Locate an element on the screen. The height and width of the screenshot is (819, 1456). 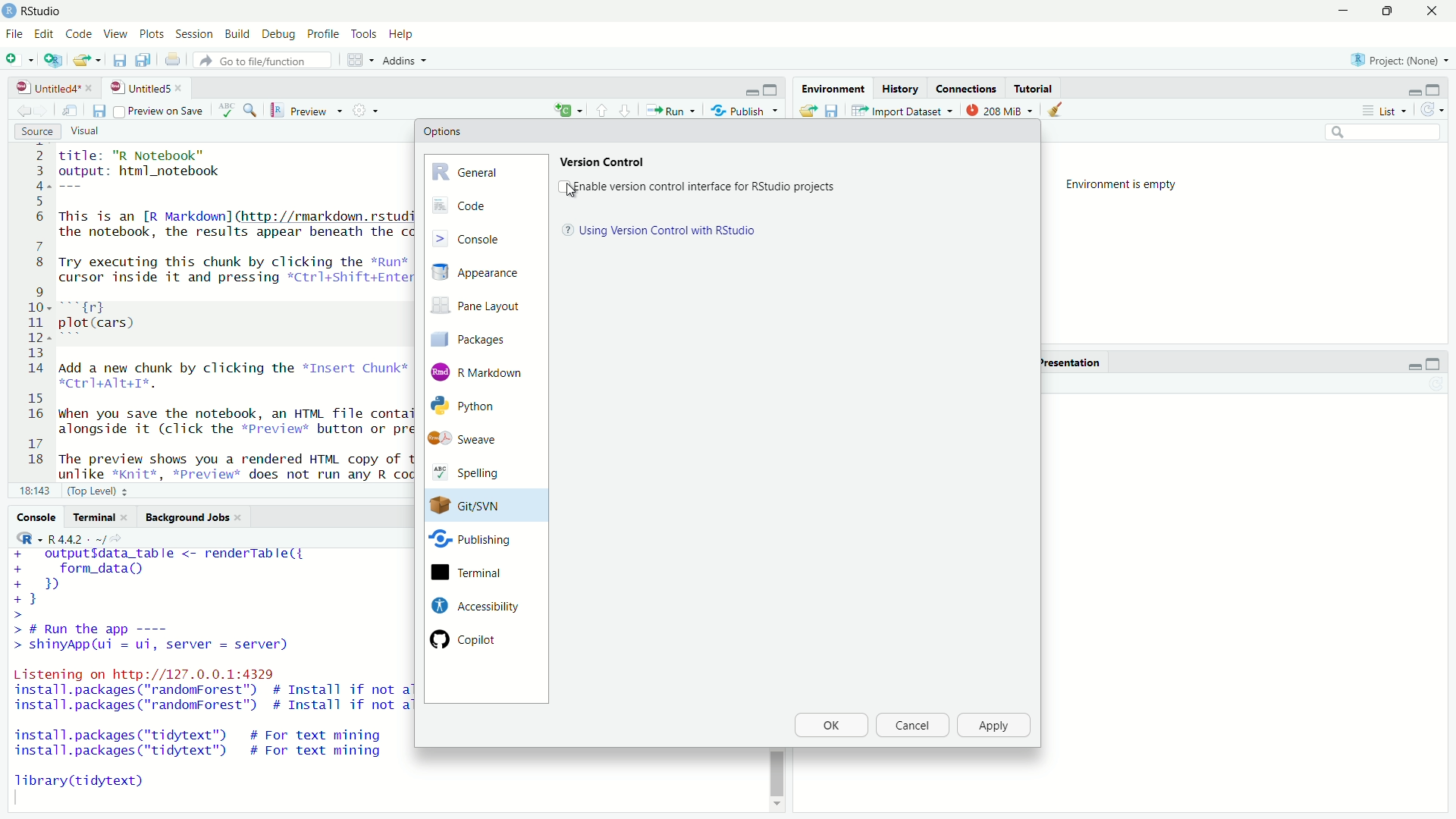
minimize is located at coordinates (1413, 365).